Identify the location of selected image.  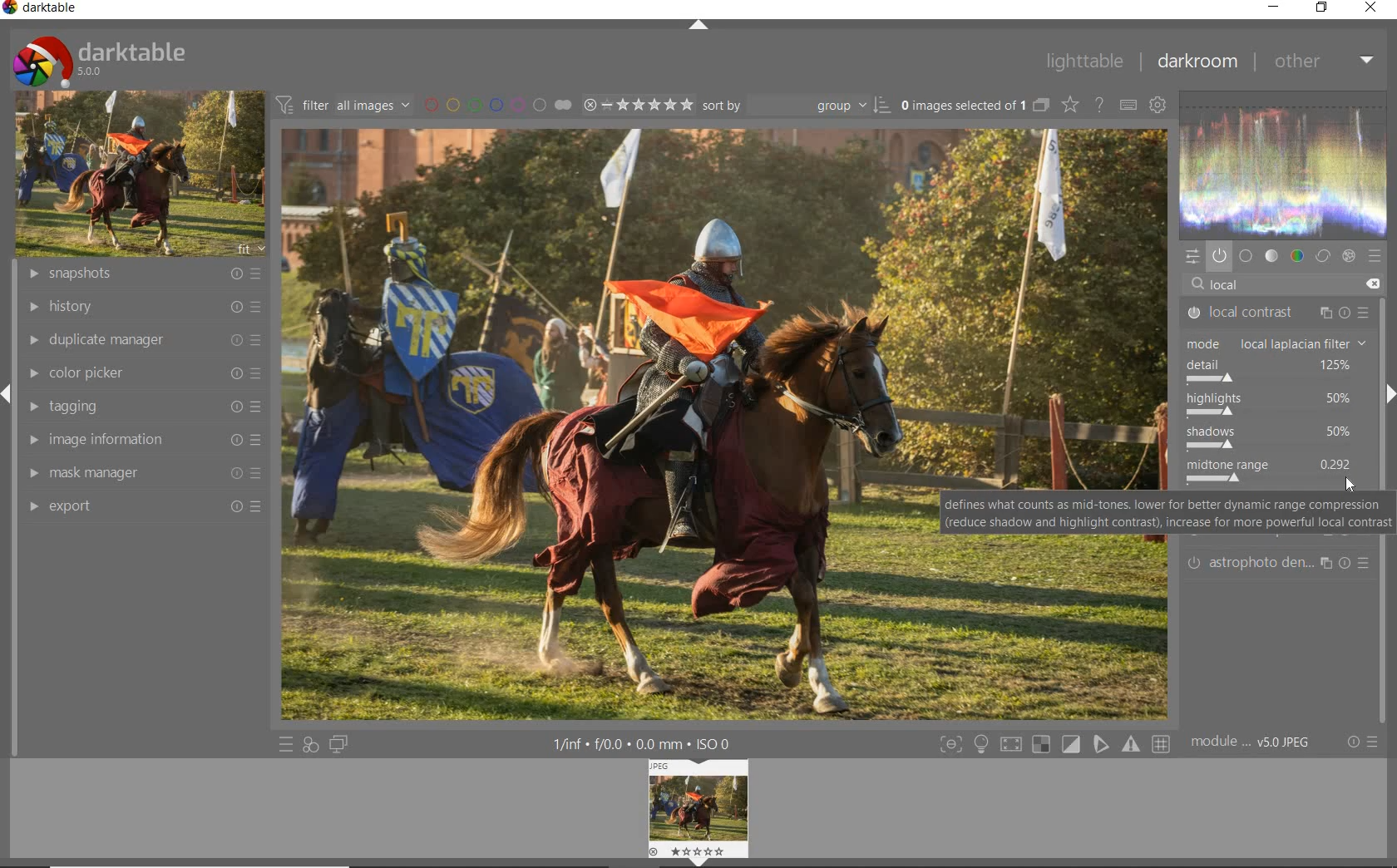
(718, 422).